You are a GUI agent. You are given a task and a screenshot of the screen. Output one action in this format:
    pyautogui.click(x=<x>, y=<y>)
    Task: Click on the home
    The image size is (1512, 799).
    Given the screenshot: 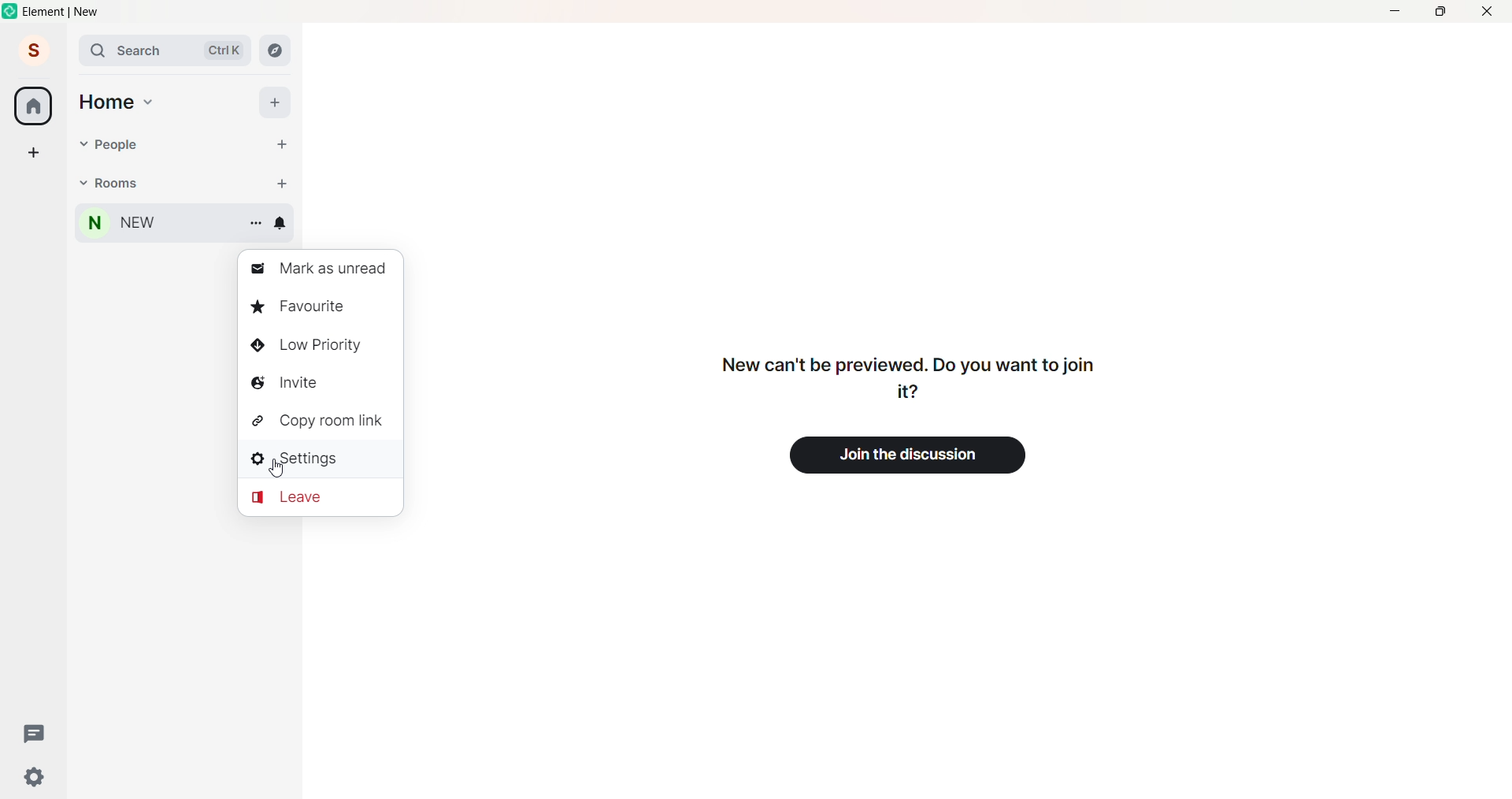 What is the action you would take?
    pyautogui.click(x=34, y=105)
    